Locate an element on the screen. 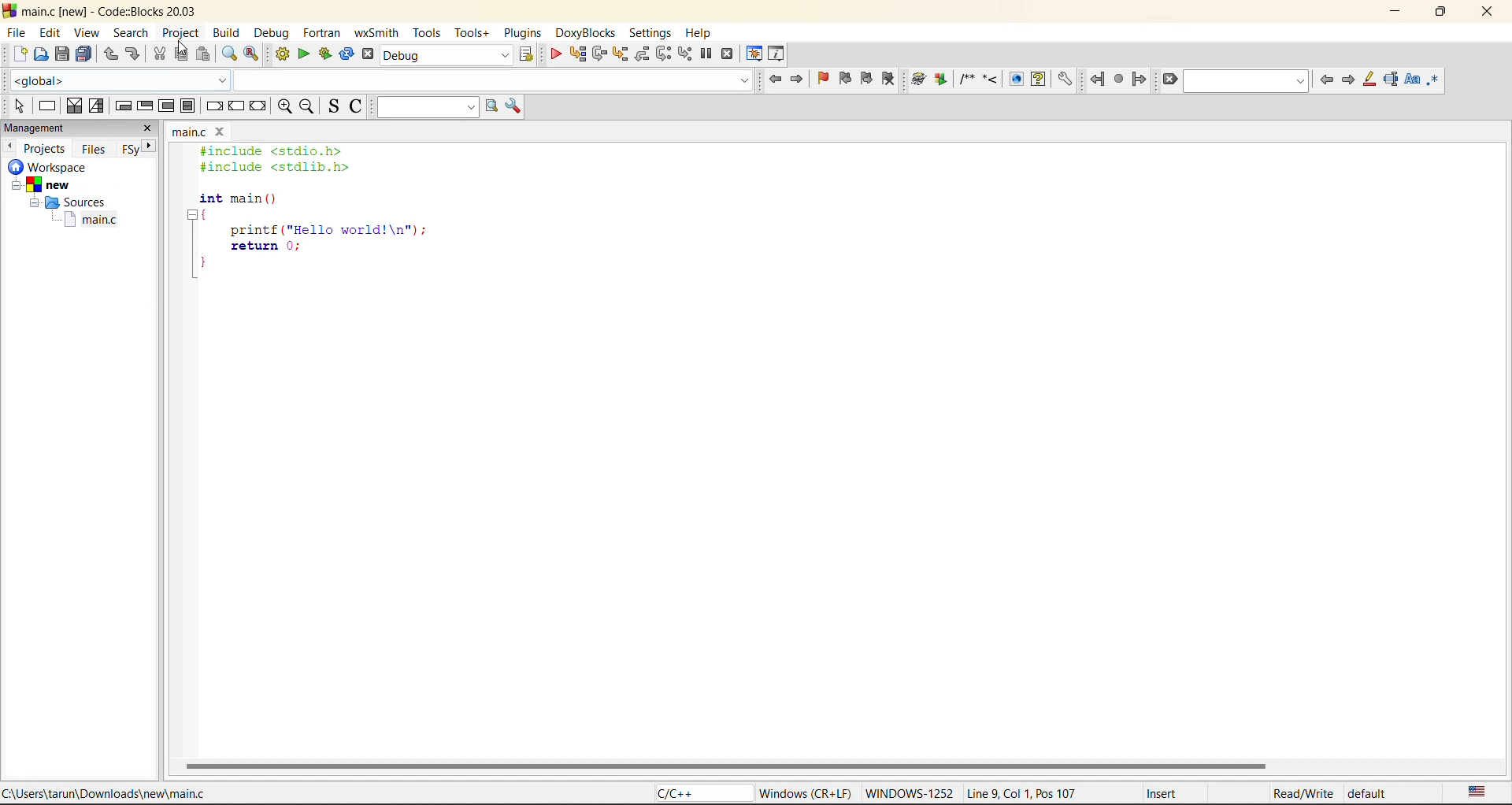 The height and width of the screenshot is (805, 1512). view is located at coordinates (85, 33).